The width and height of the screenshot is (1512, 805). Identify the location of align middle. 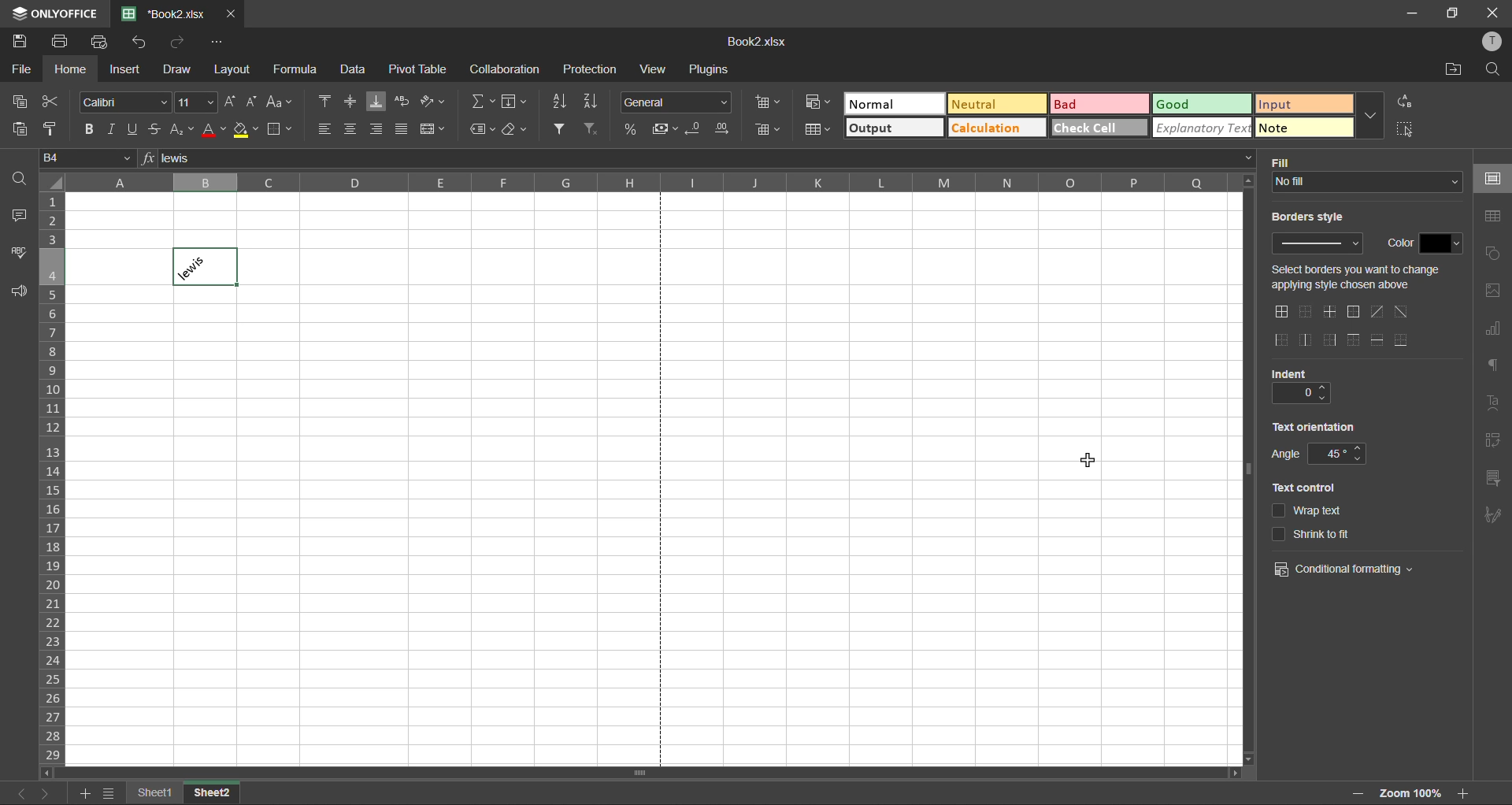
(350, 103).